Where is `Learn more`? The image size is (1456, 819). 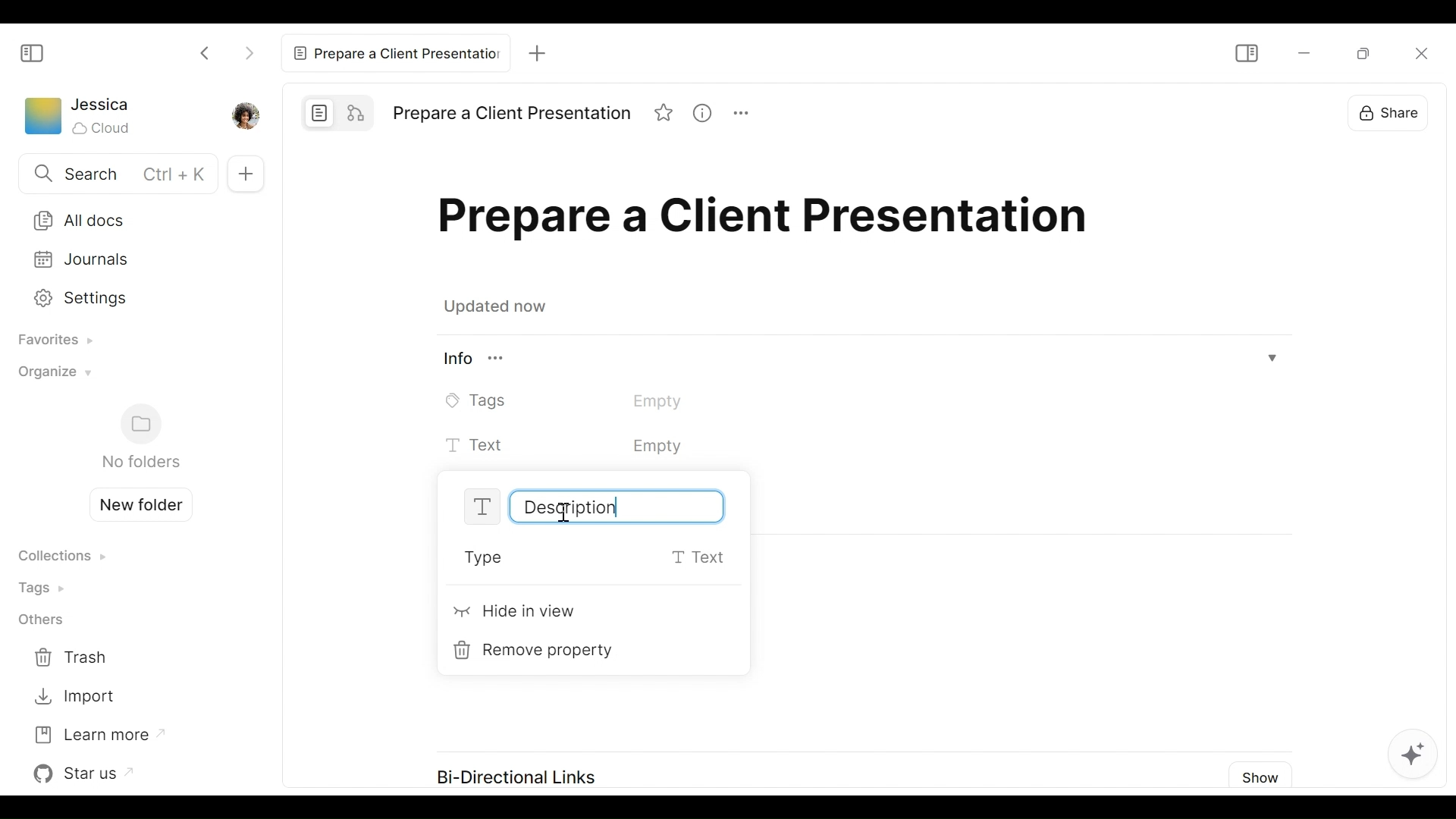 Learn more is located at coordinates (98, 733).